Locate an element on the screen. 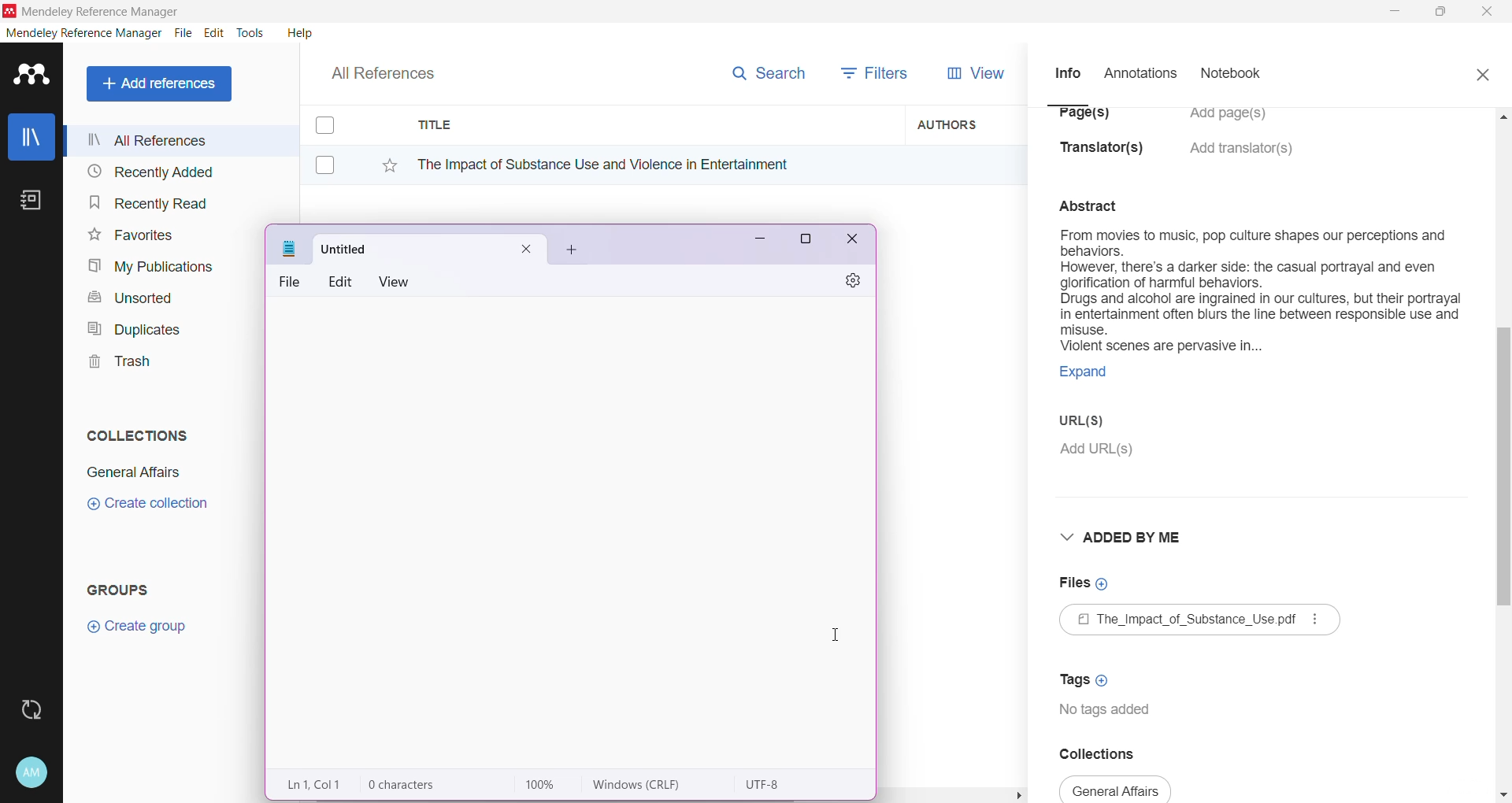  Close is located at coordinates (1488, 13).